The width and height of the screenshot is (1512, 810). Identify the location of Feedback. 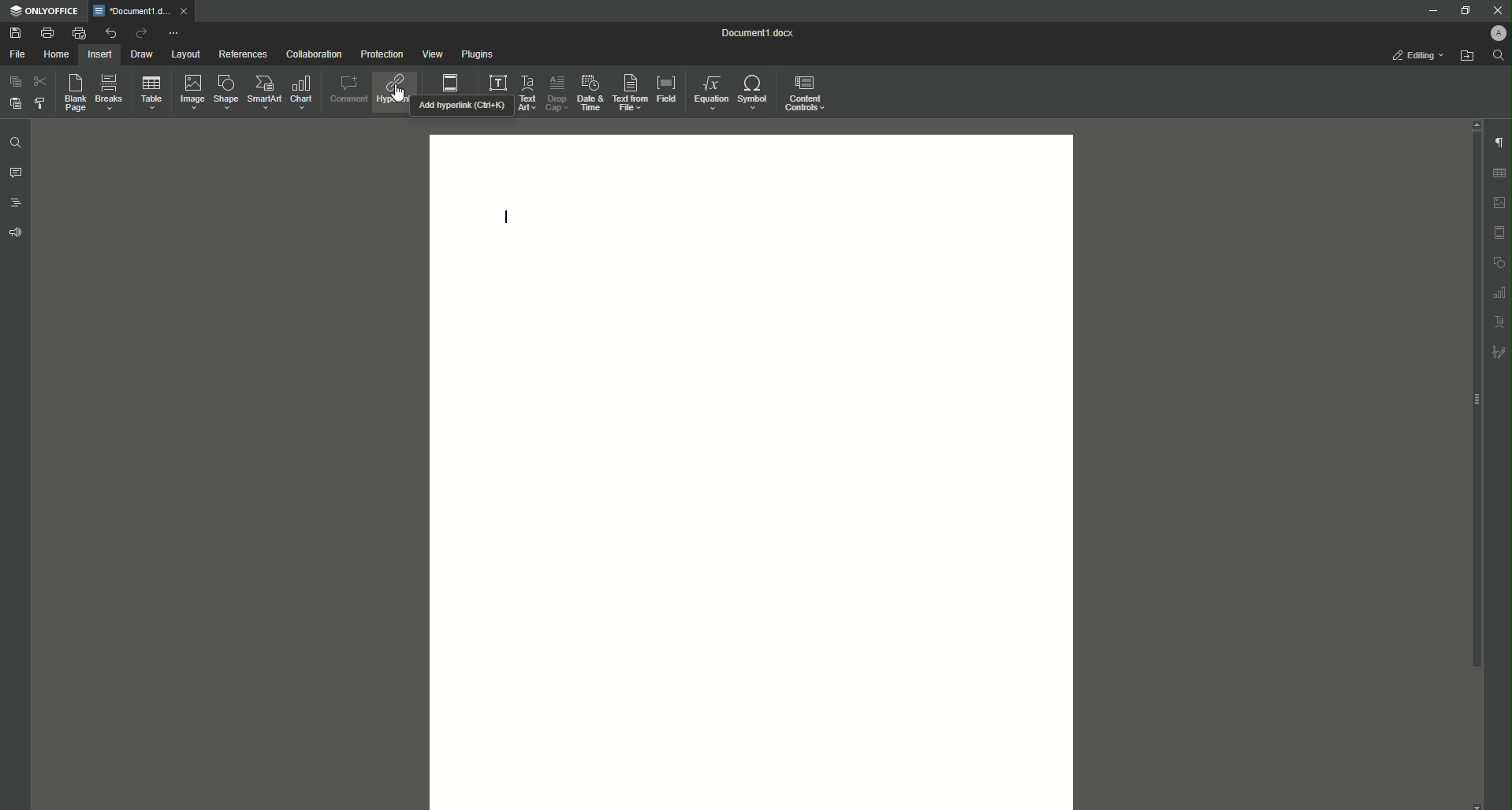
(16, 232).